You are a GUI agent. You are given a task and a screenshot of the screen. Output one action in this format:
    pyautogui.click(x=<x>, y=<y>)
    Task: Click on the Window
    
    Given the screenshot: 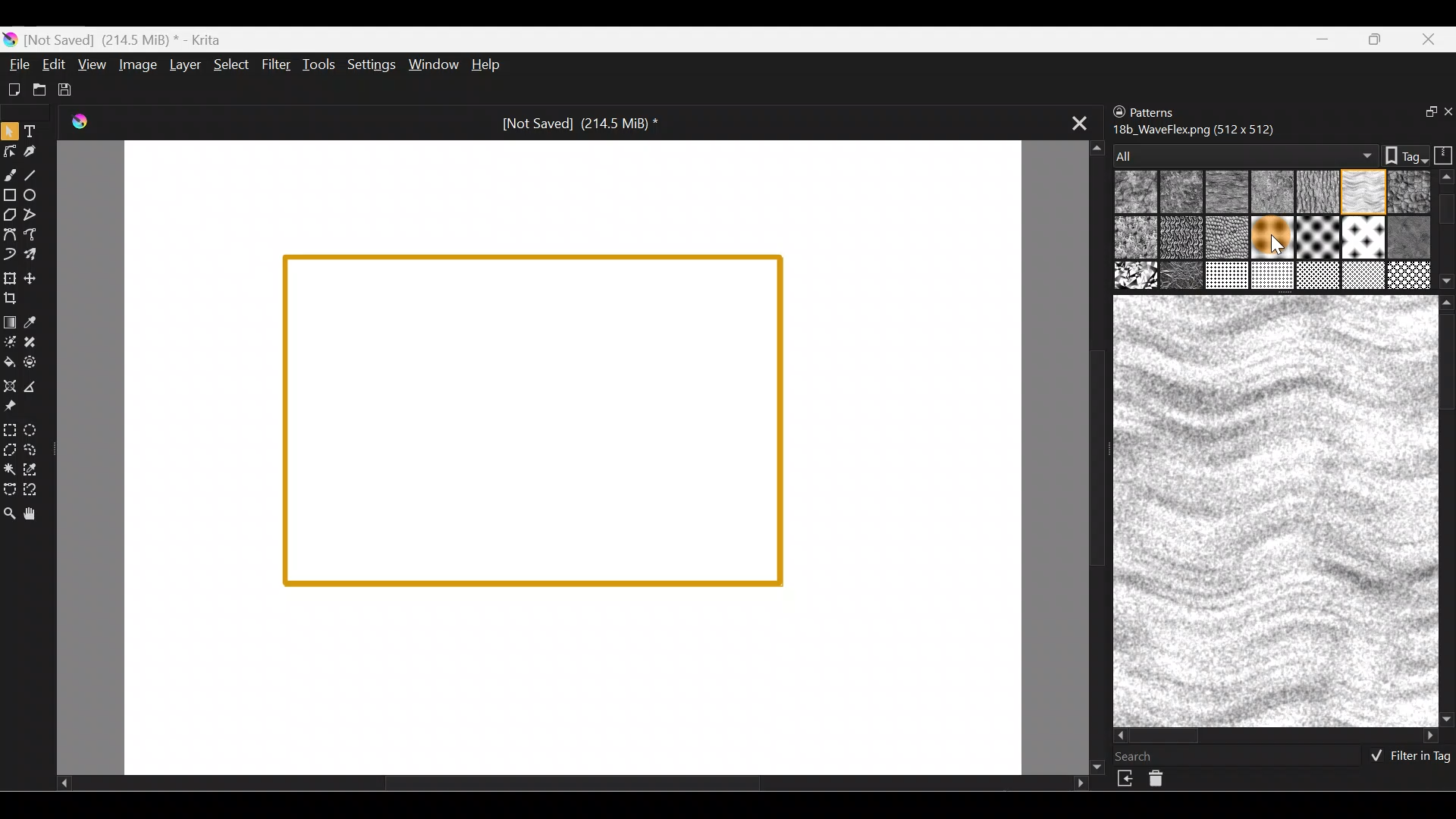 What is the action you would take?
    pyautogui.click(x=431, y=64)
    